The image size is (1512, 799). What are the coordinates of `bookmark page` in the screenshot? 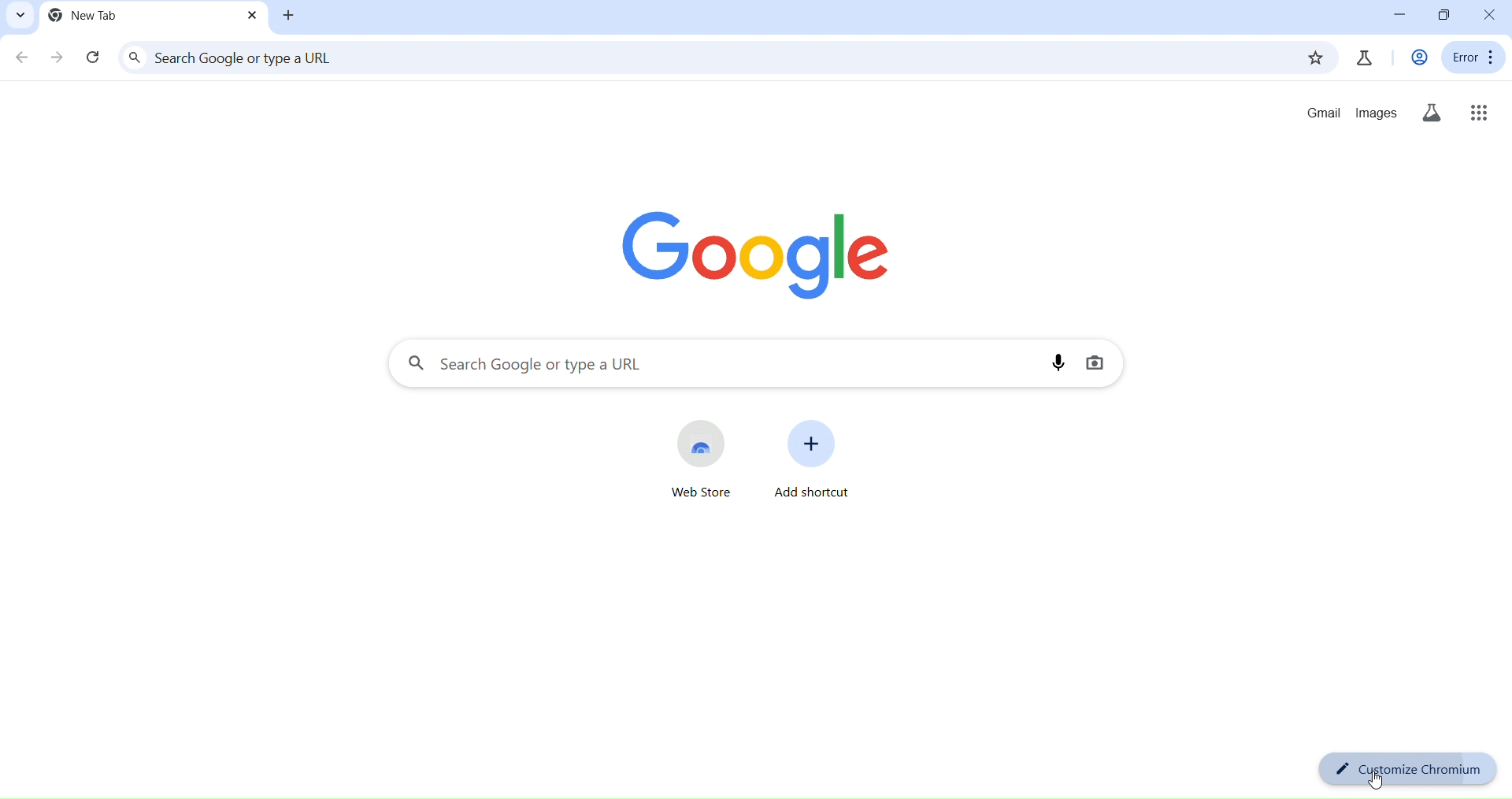 It's located at (1314, 60).